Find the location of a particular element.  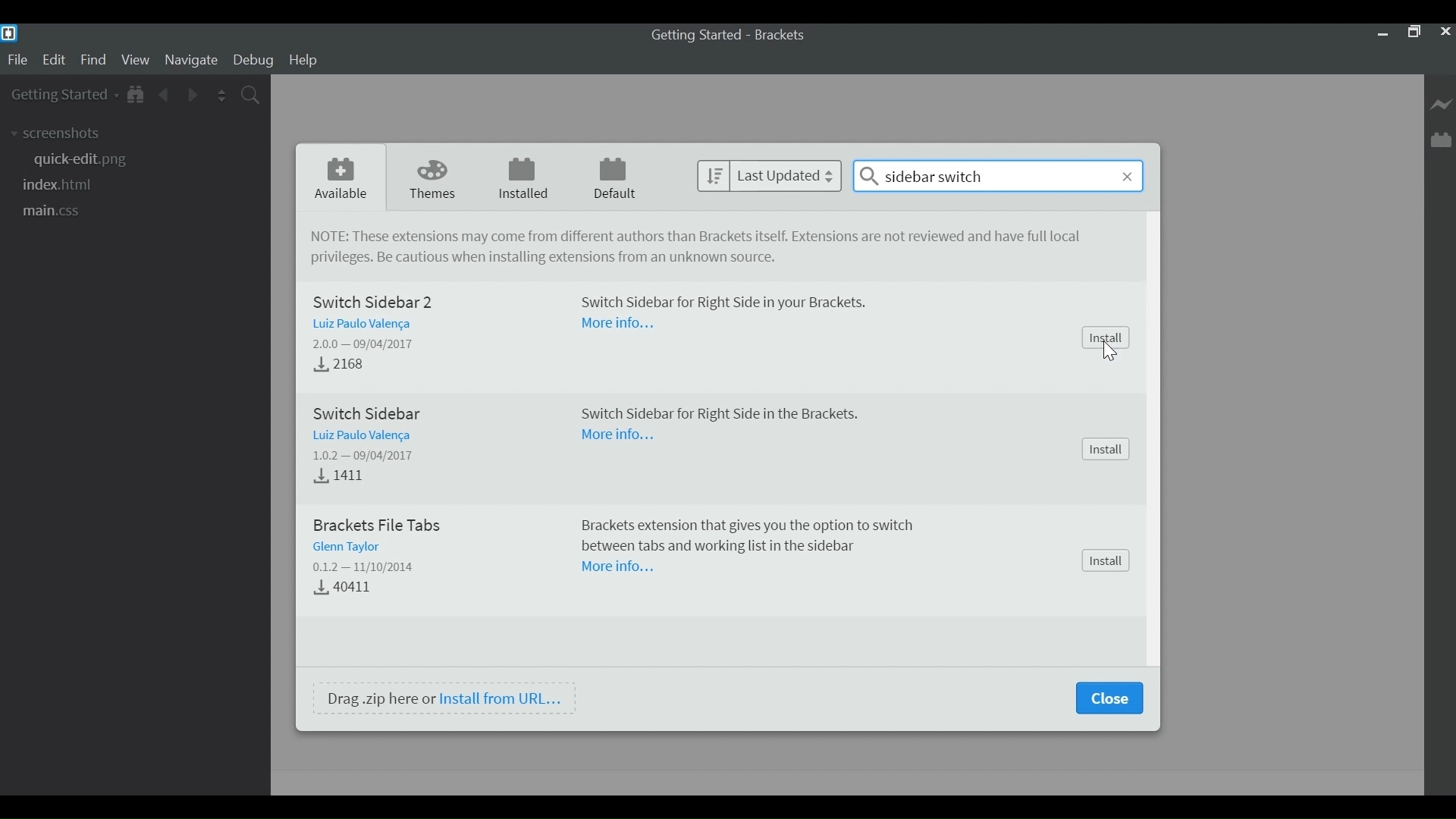

4.1411 is located at coordinates (346, 478).